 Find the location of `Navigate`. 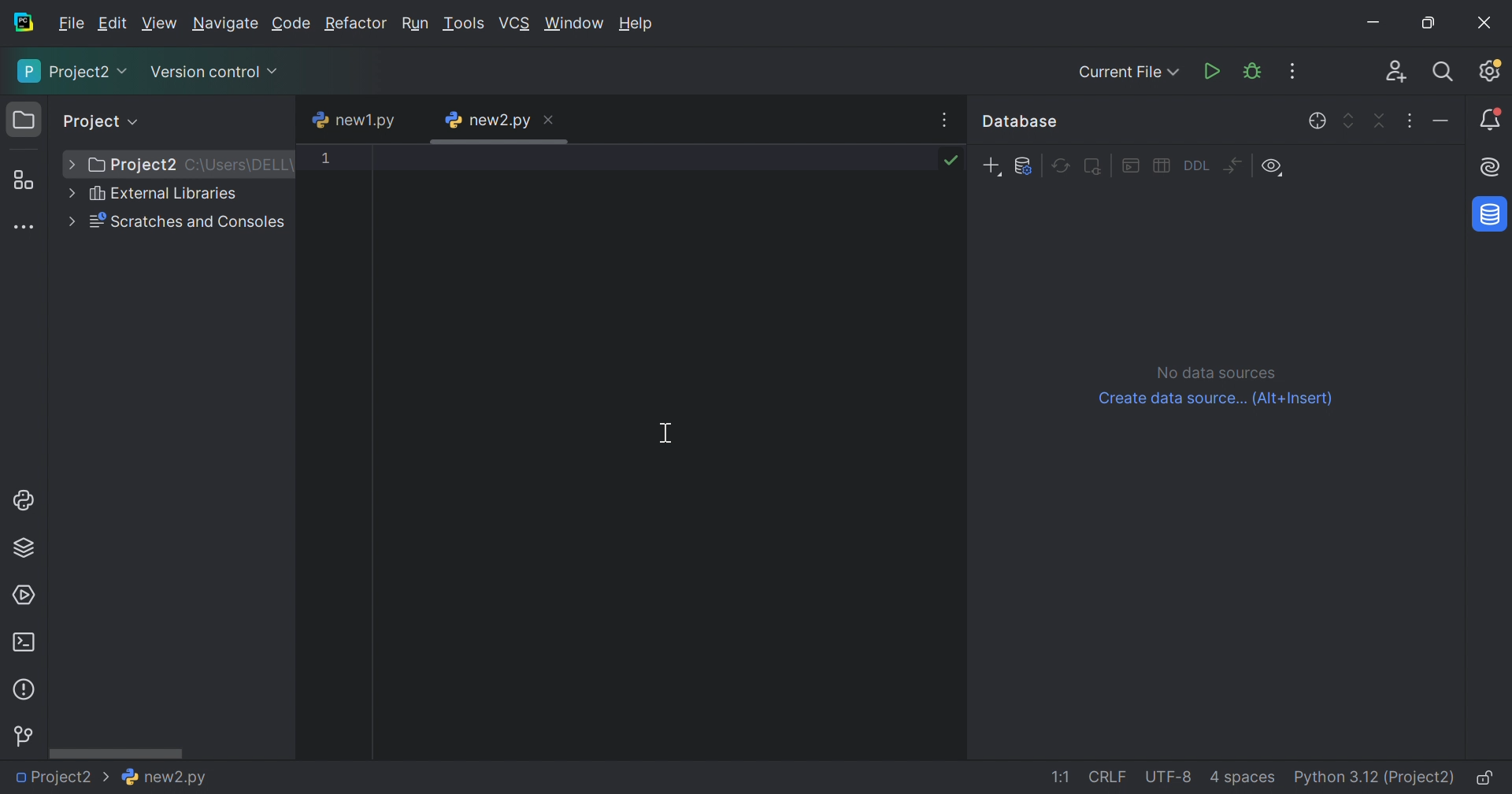

Navigate is located at coordinates (227, 25).